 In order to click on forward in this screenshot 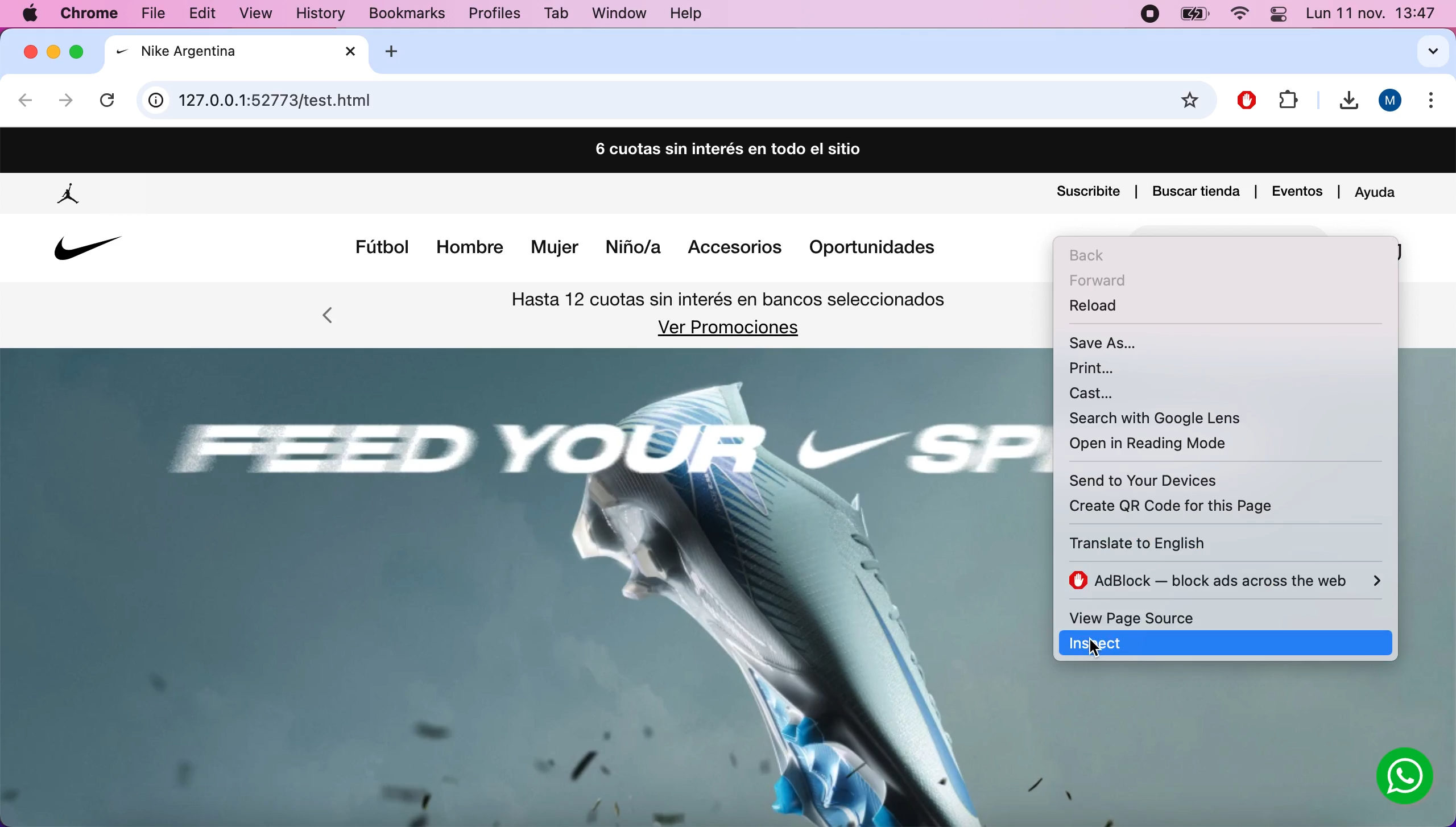, I will do `click(1111, 281)`.